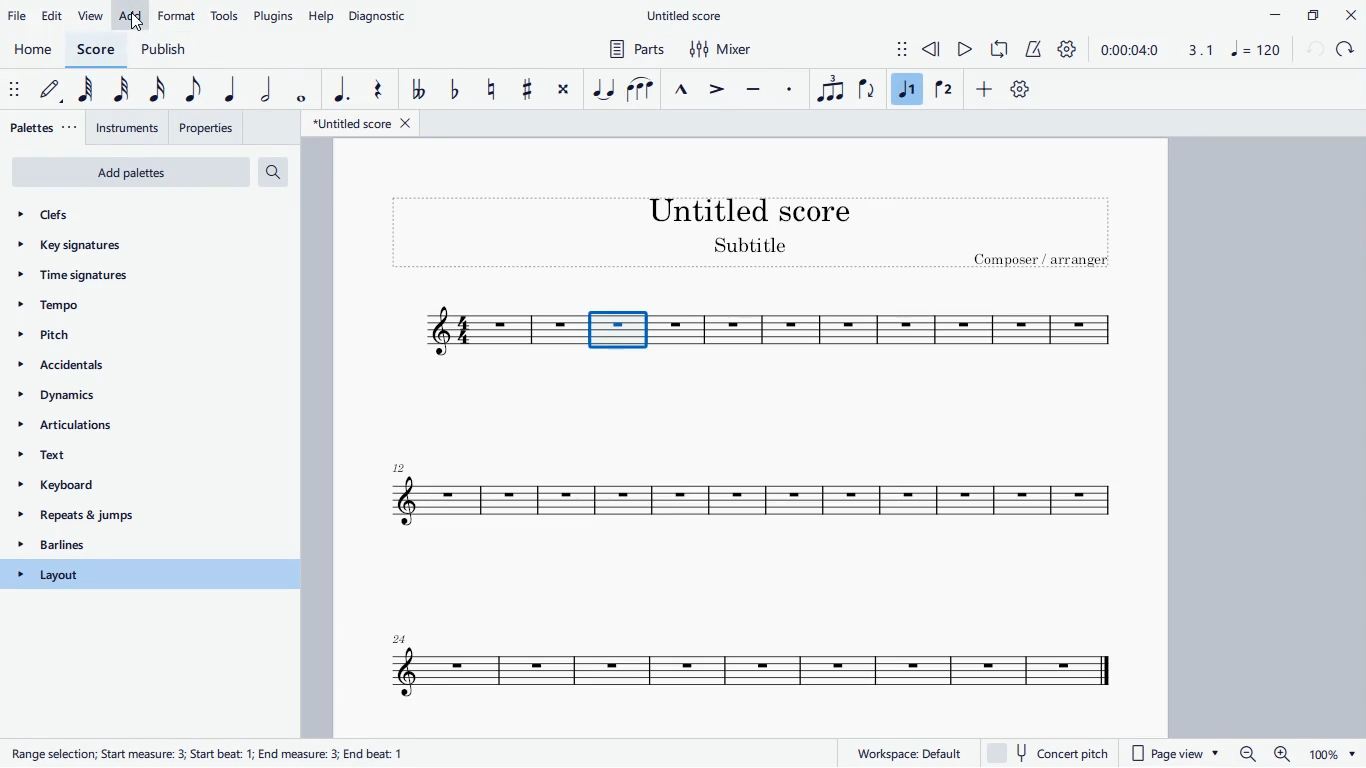 Image resolution: width=1366 pixels, height=768 pixels. Describe the element at coordinates (1312, 14) in the screenshot. I see `maximize` at that location.